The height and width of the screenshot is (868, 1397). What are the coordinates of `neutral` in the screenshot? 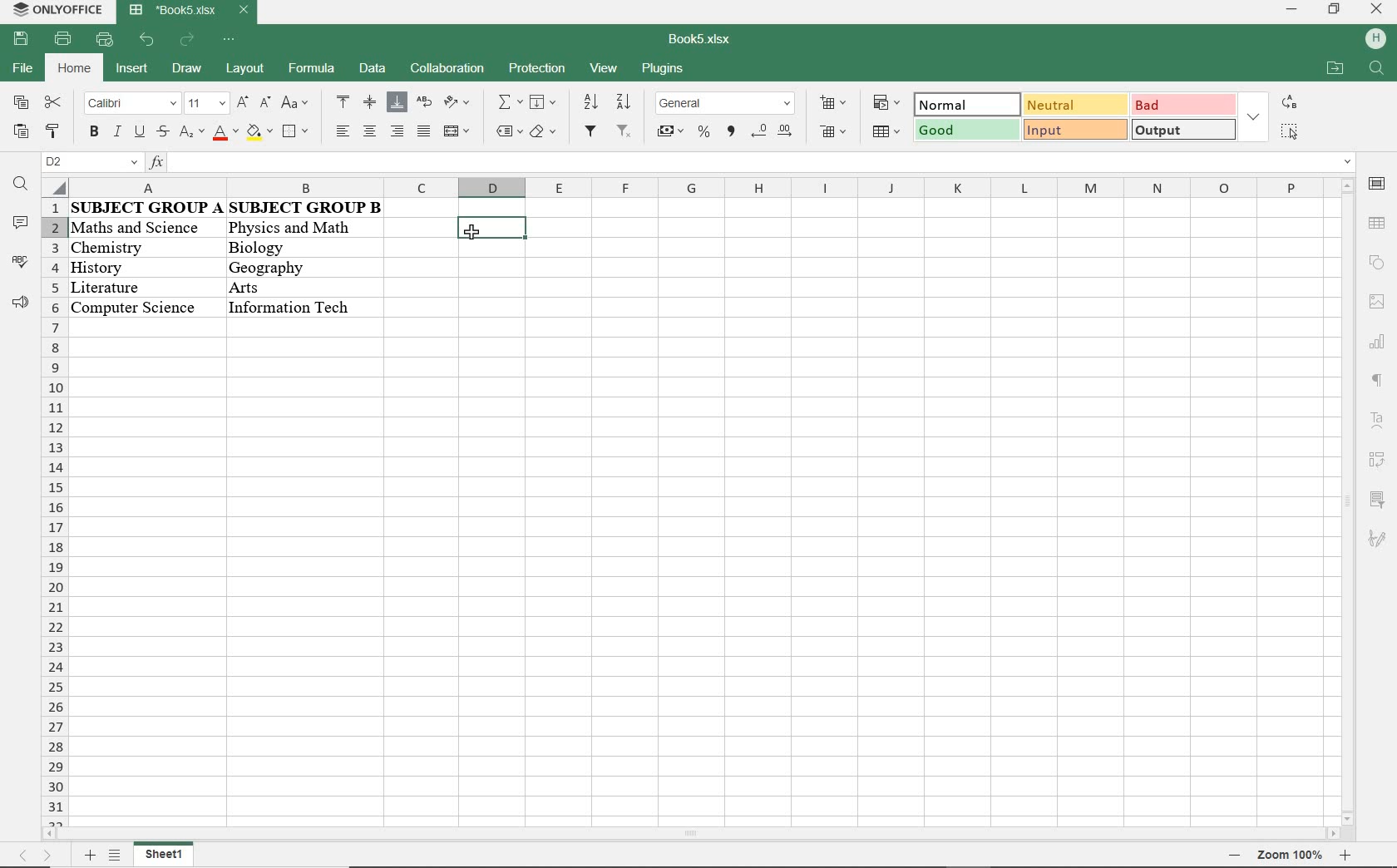 It's located at (1074, 105).